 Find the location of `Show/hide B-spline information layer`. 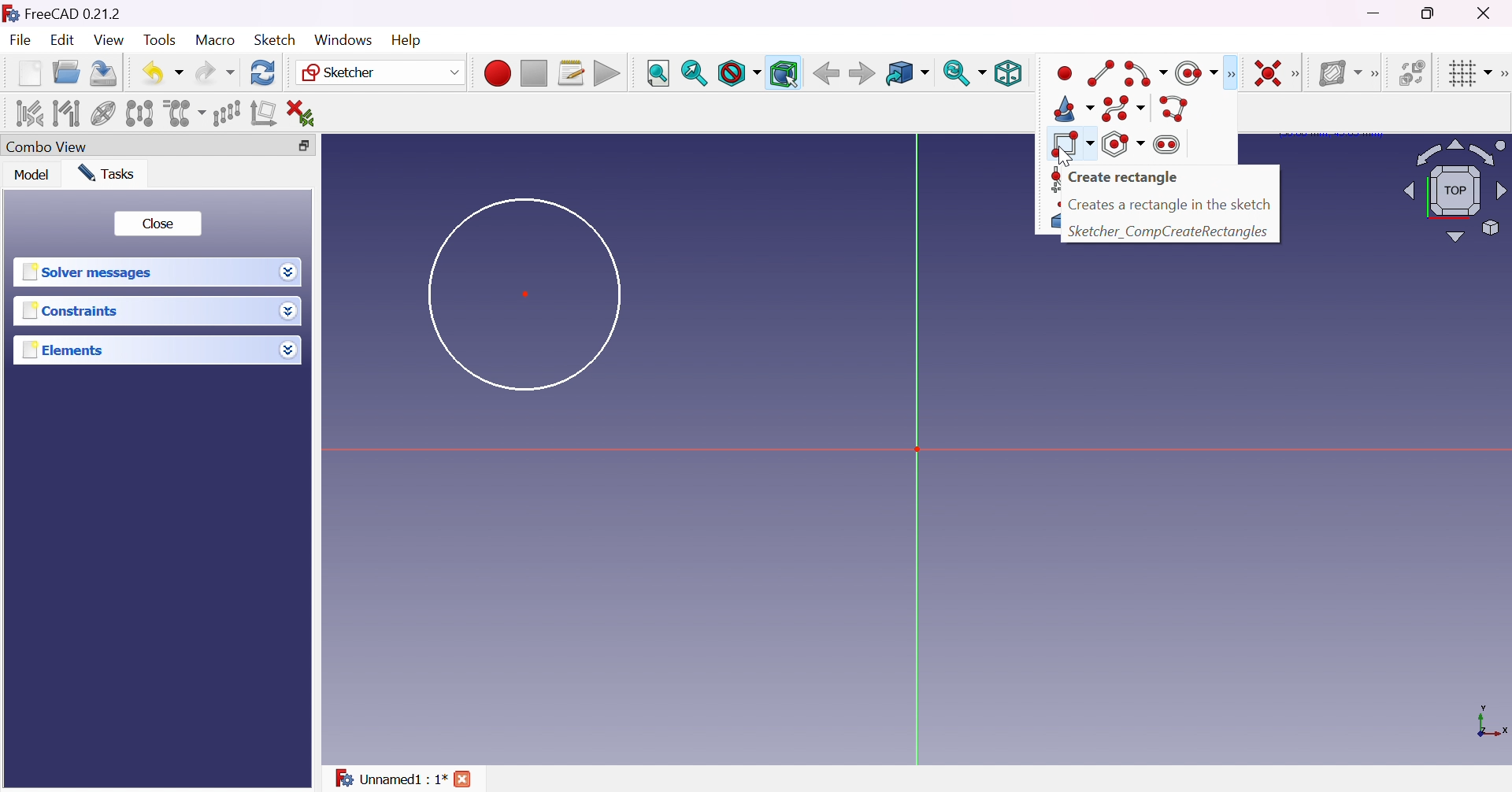

Show/hide B-spline information layer is located at coordinates (1340, 72).